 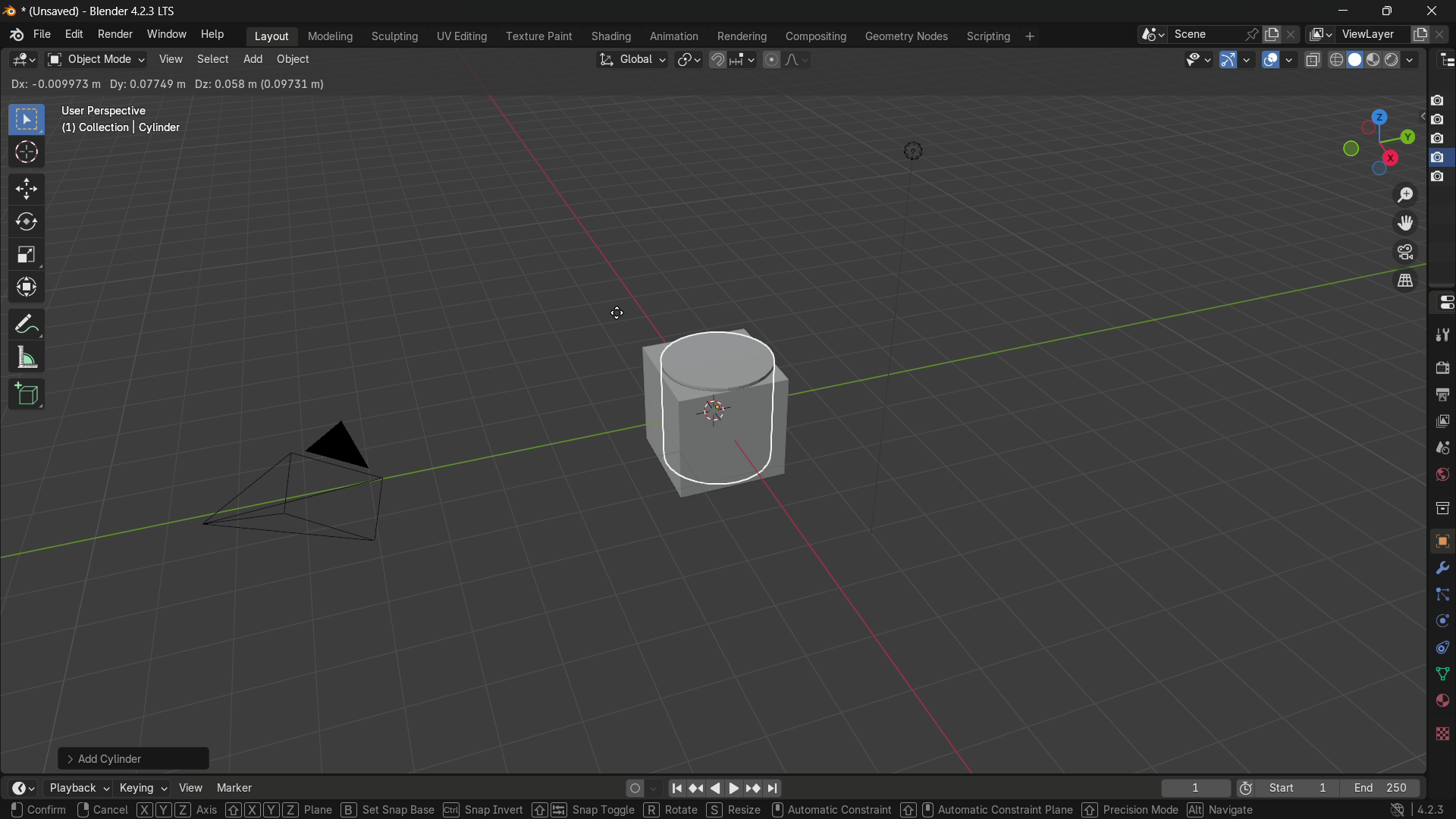 I want to click on remove view layer, so click(x=1444, y=35).